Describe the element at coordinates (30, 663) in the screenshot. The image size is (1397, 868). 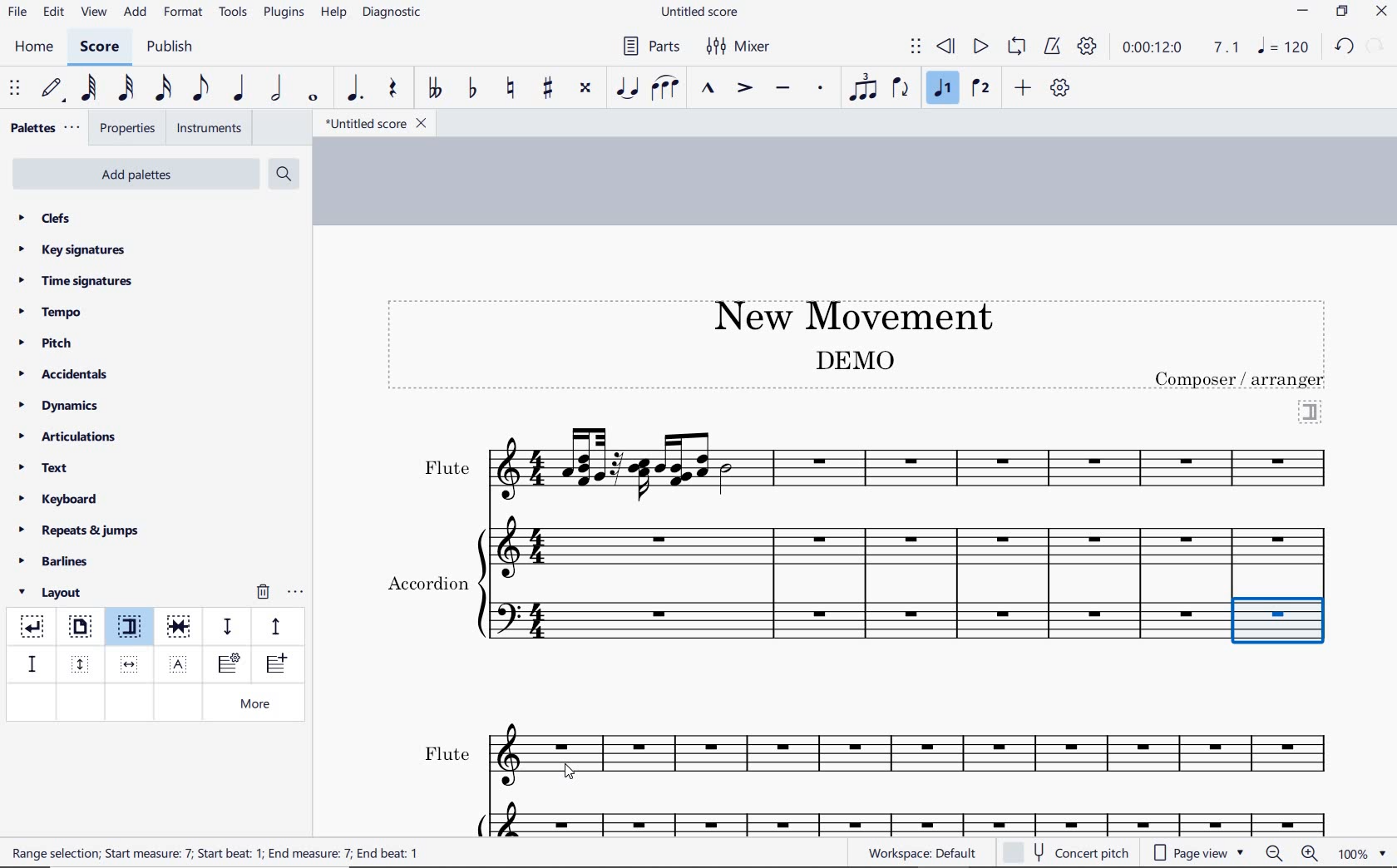
I see `staff spacer fixed down` at that location.